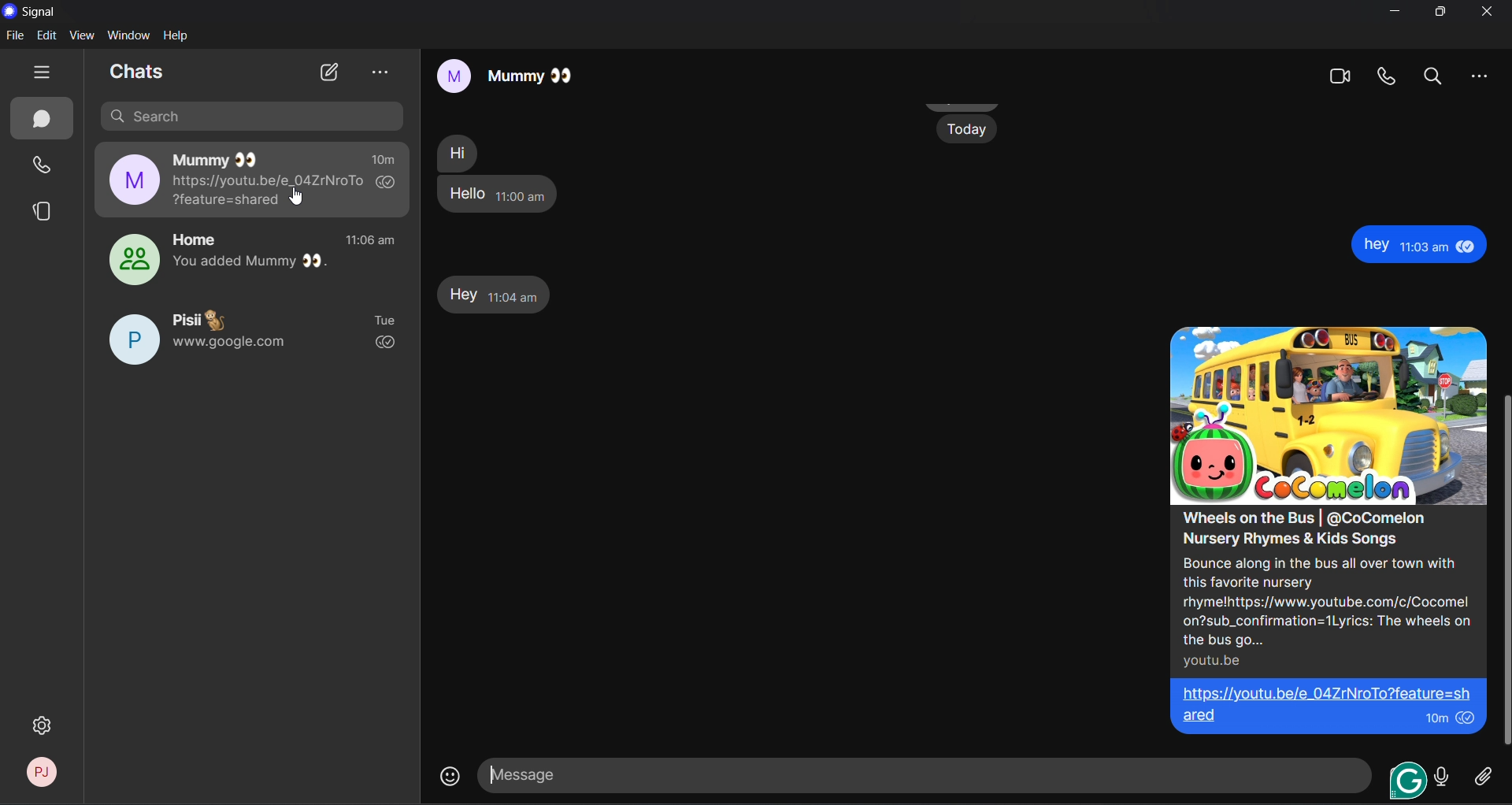 The width and height of the screenshot is (1512, 805). What do you see at coordinates (17, 35) in the screenshot?
I see `file` at bounding box center [17, 35].